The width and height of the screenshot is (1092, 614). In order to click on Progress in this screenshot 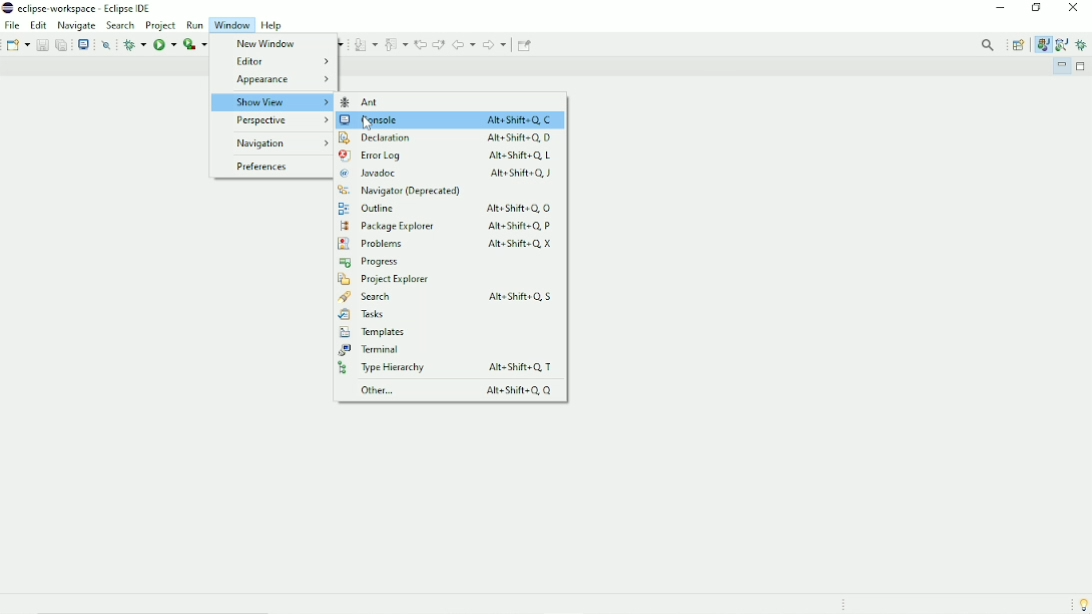, I will do `click(370, 262)`.